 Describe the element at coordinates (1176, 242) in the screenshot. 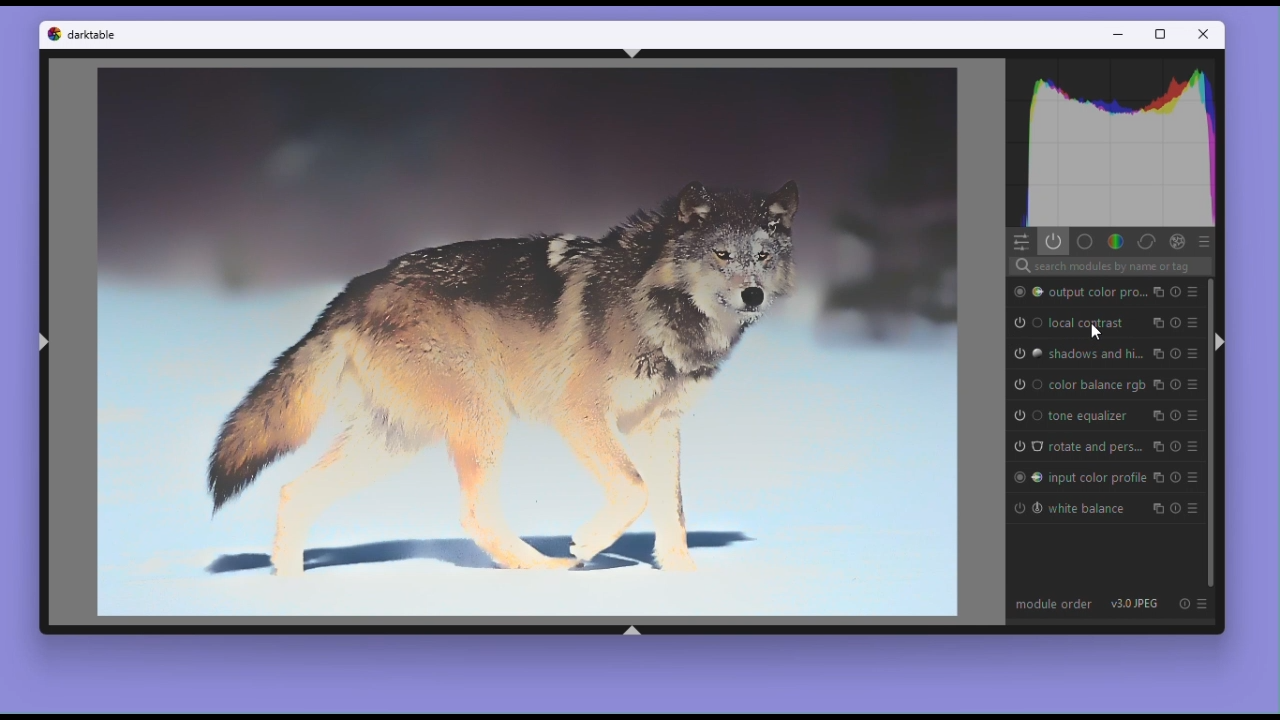

I see `Effect` at that location.